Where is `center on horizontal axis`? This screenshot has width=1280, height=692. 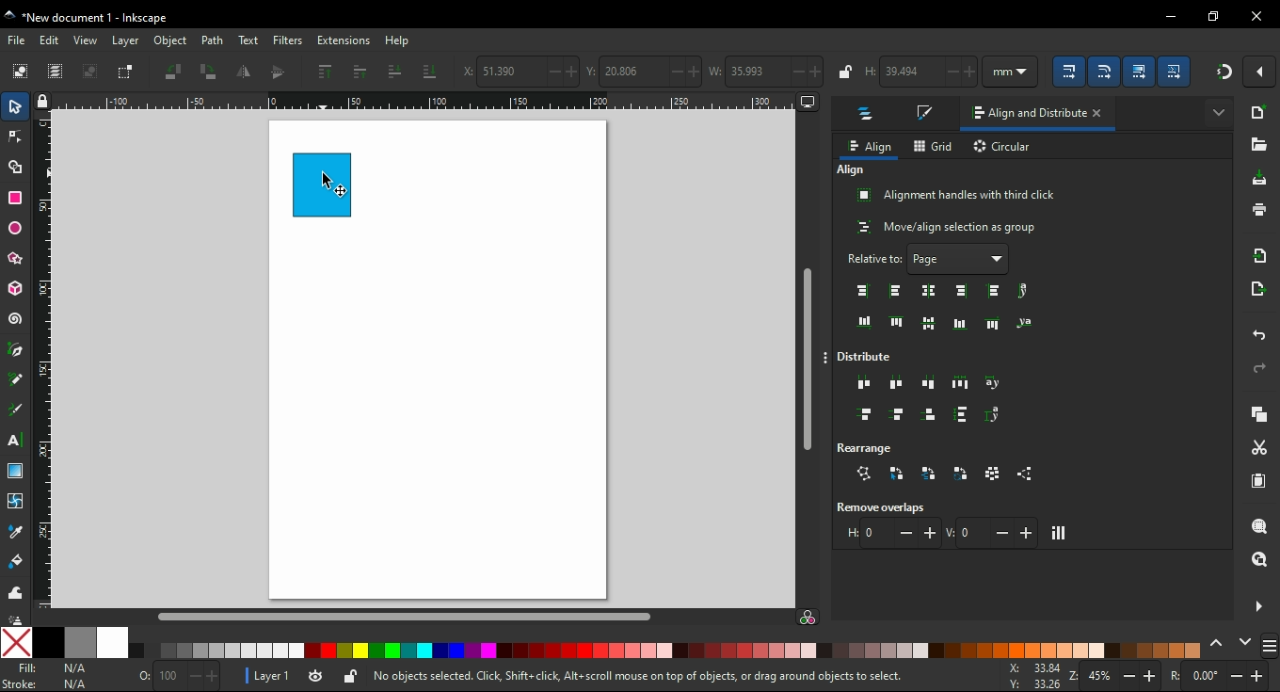
center on horizontal axis is located at coordinates (960, 323).